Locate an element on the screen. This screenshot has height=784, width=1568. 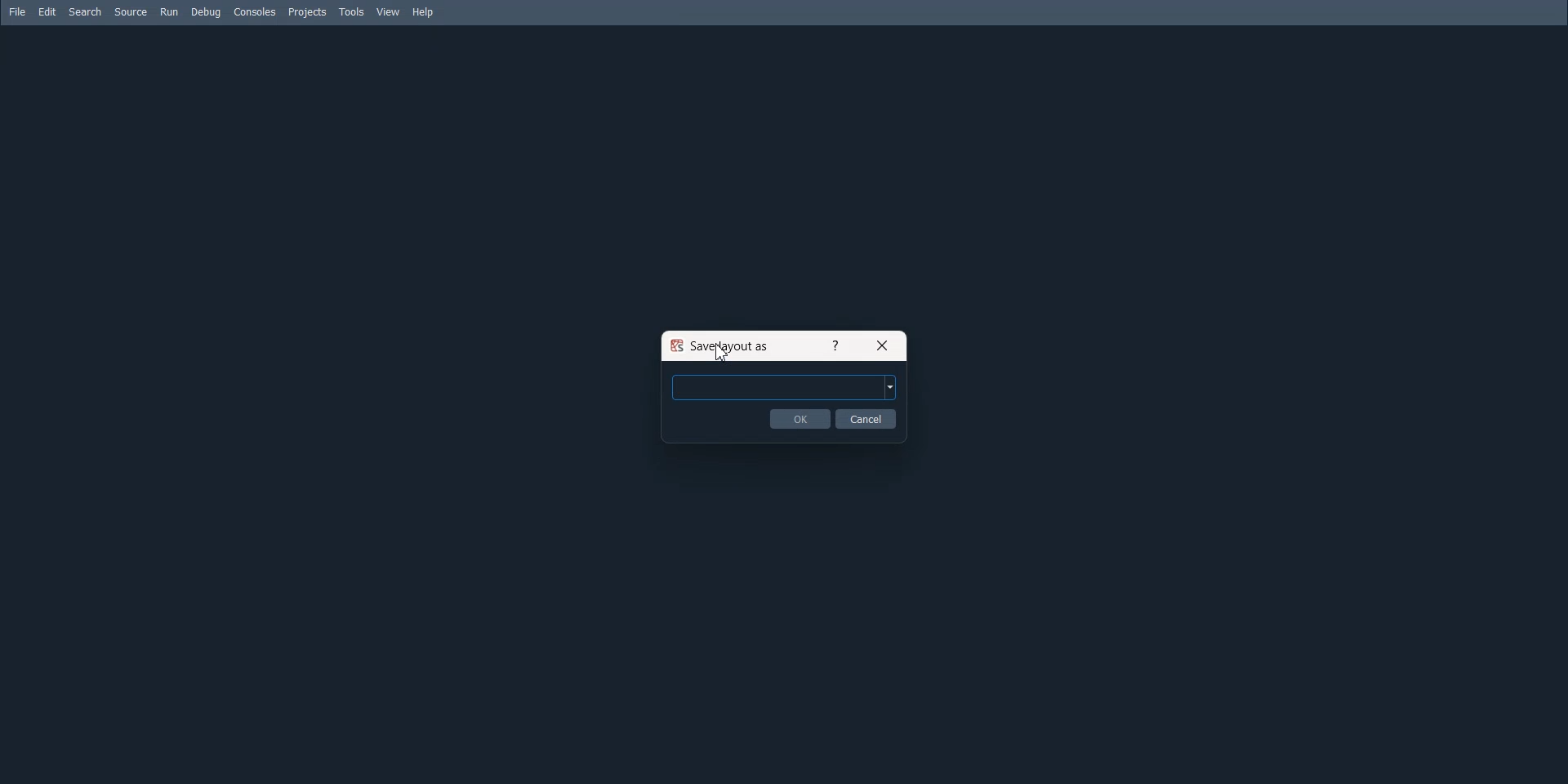
Debug is located at coordinates (206, 12).